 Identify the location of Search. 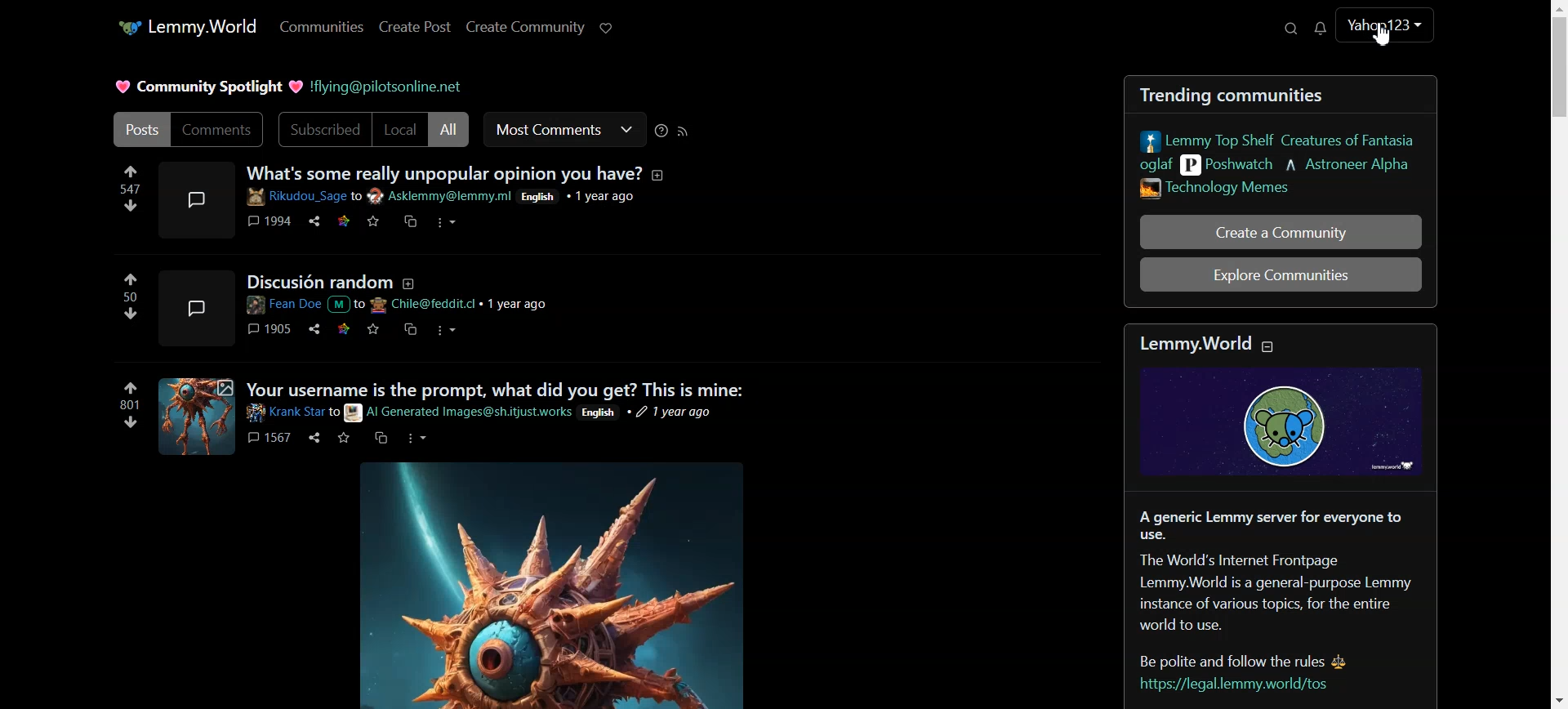
(1292, 29).